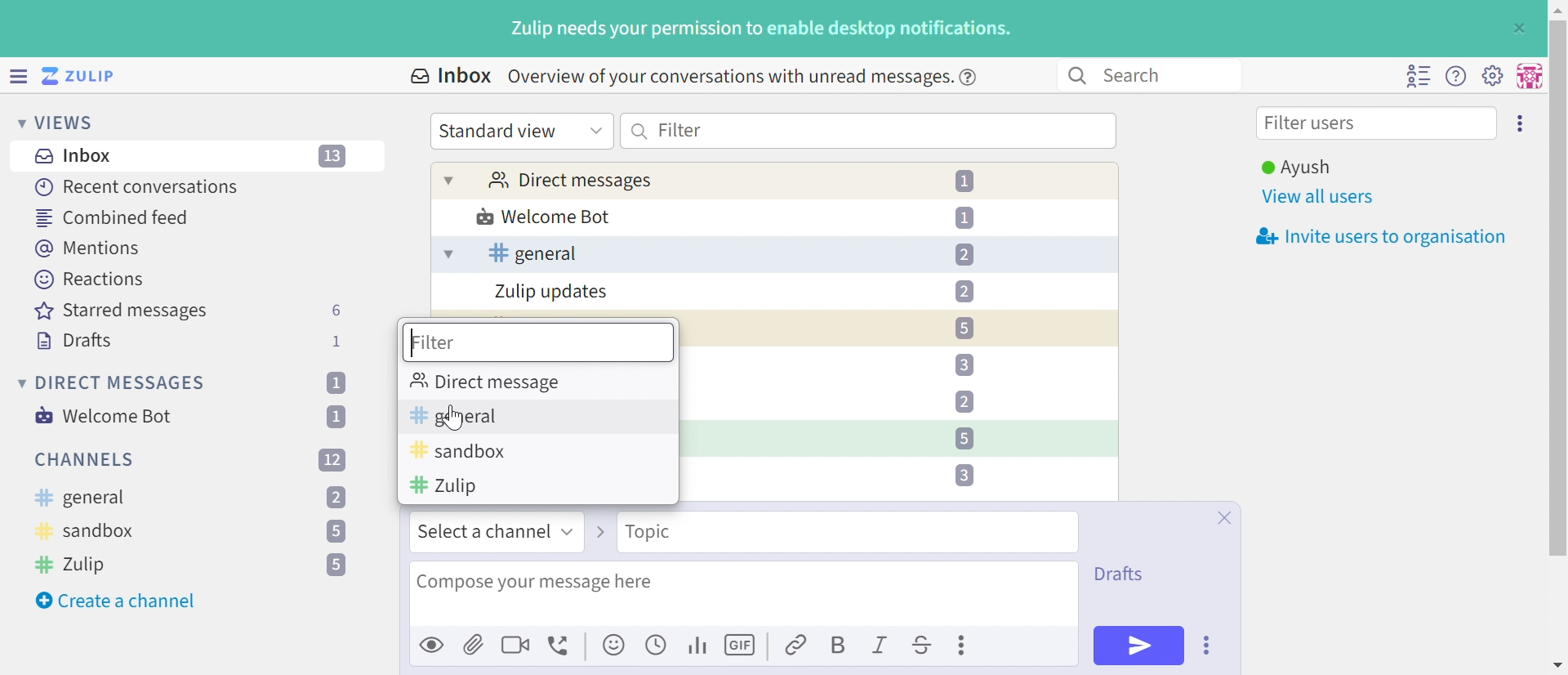 The height and width of the screenshot is (675, 1568). Describe the element at coordinates (1139, 646) in the screenshot. I see `Send` at that location.